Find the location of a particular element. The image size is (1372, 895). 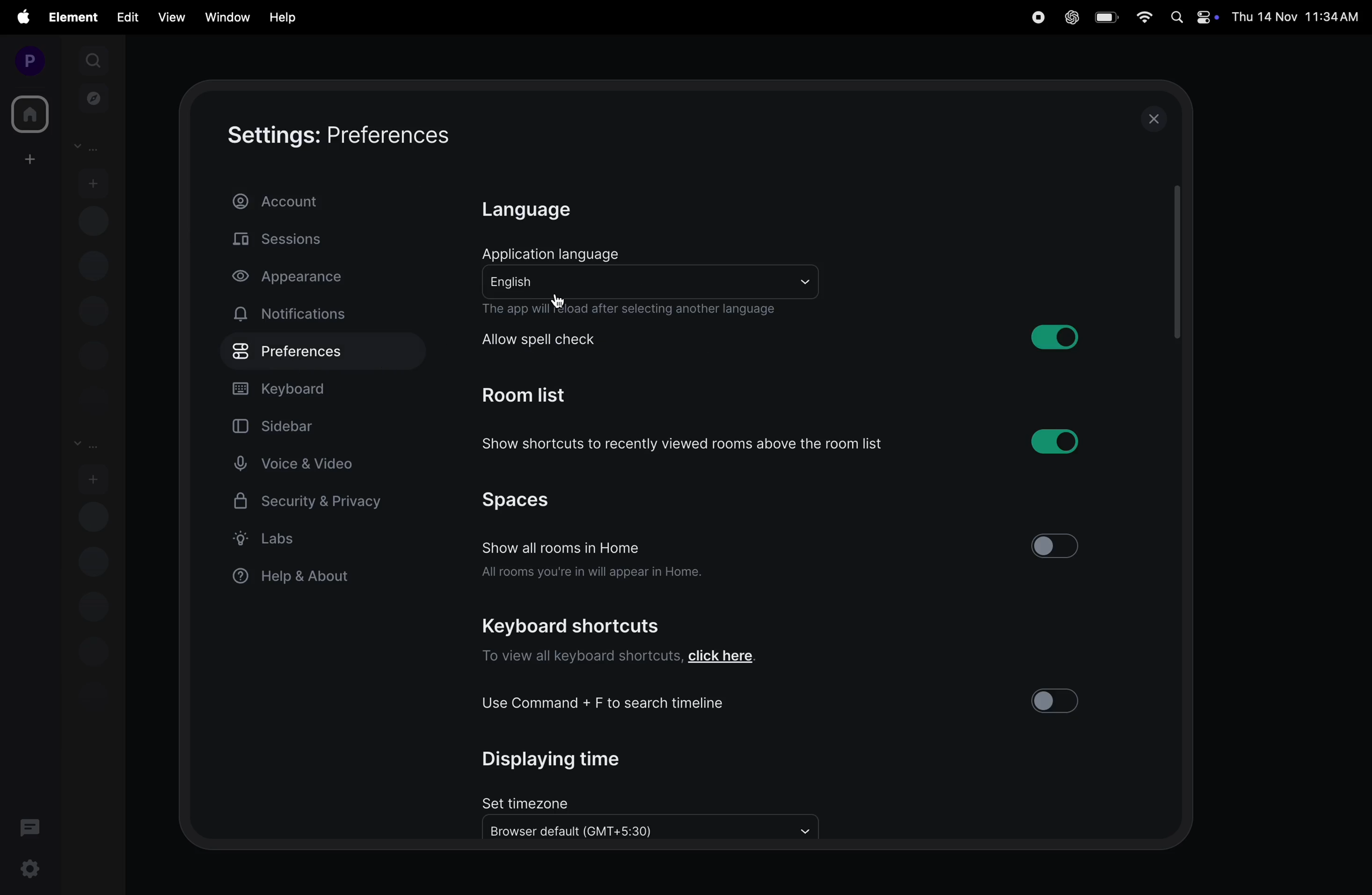

search is located at coordinates (93, 59).